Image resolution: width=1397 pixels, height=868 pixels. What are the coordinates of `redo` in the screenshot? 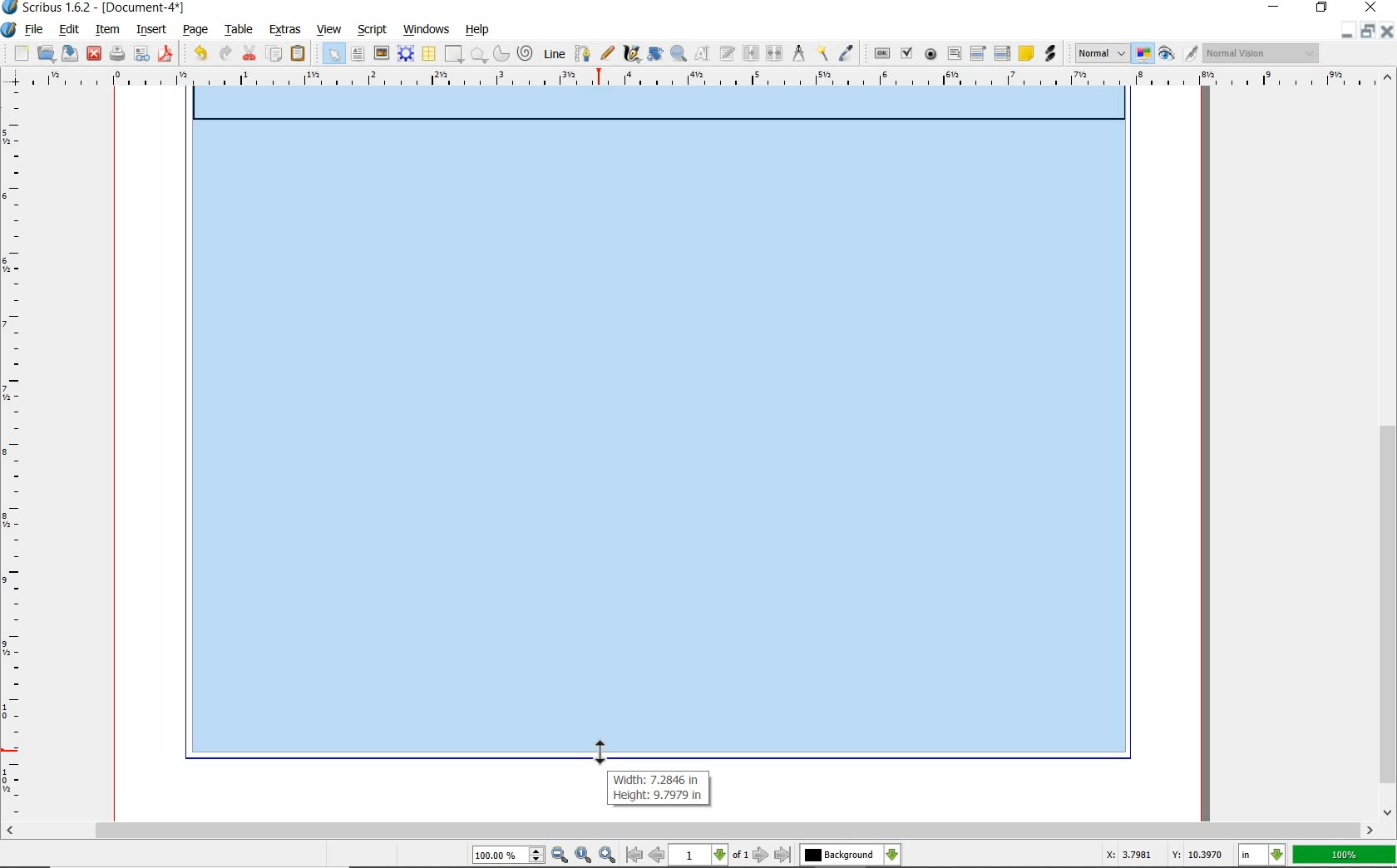 It's located at (227, 53).